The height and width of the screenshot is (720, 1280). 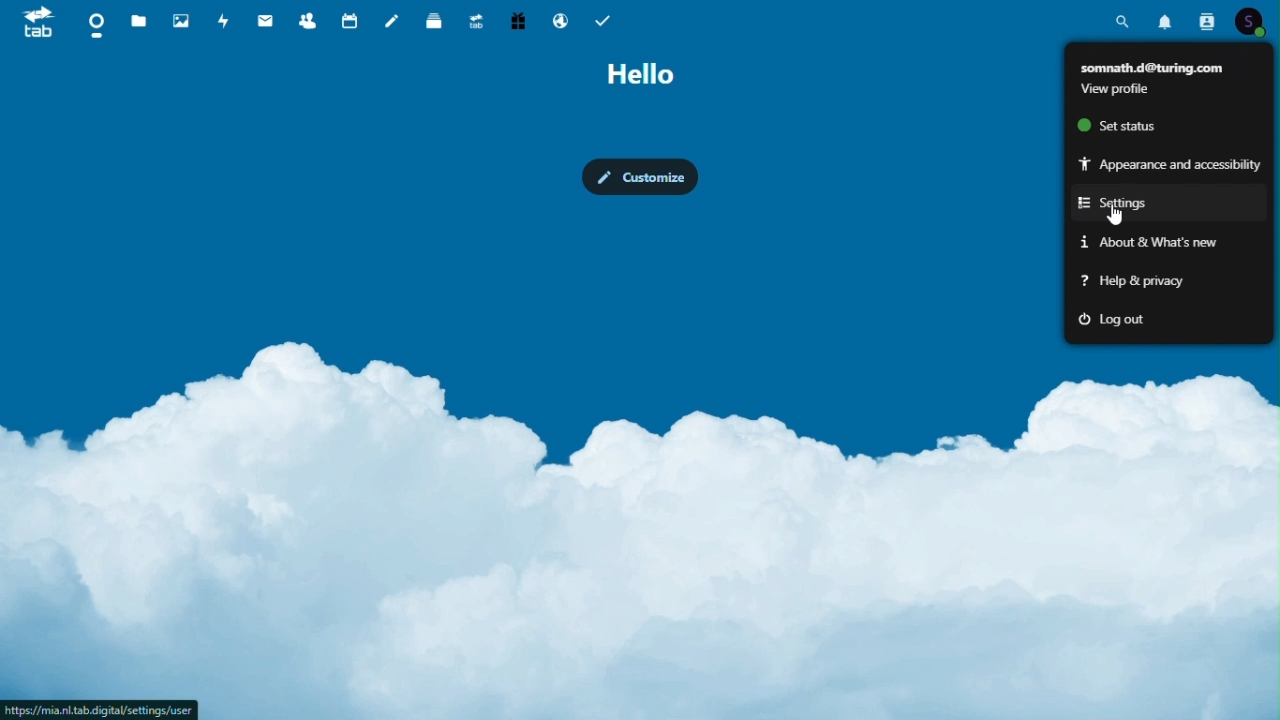 I want to click on Help, so click(x=1132, y=284).